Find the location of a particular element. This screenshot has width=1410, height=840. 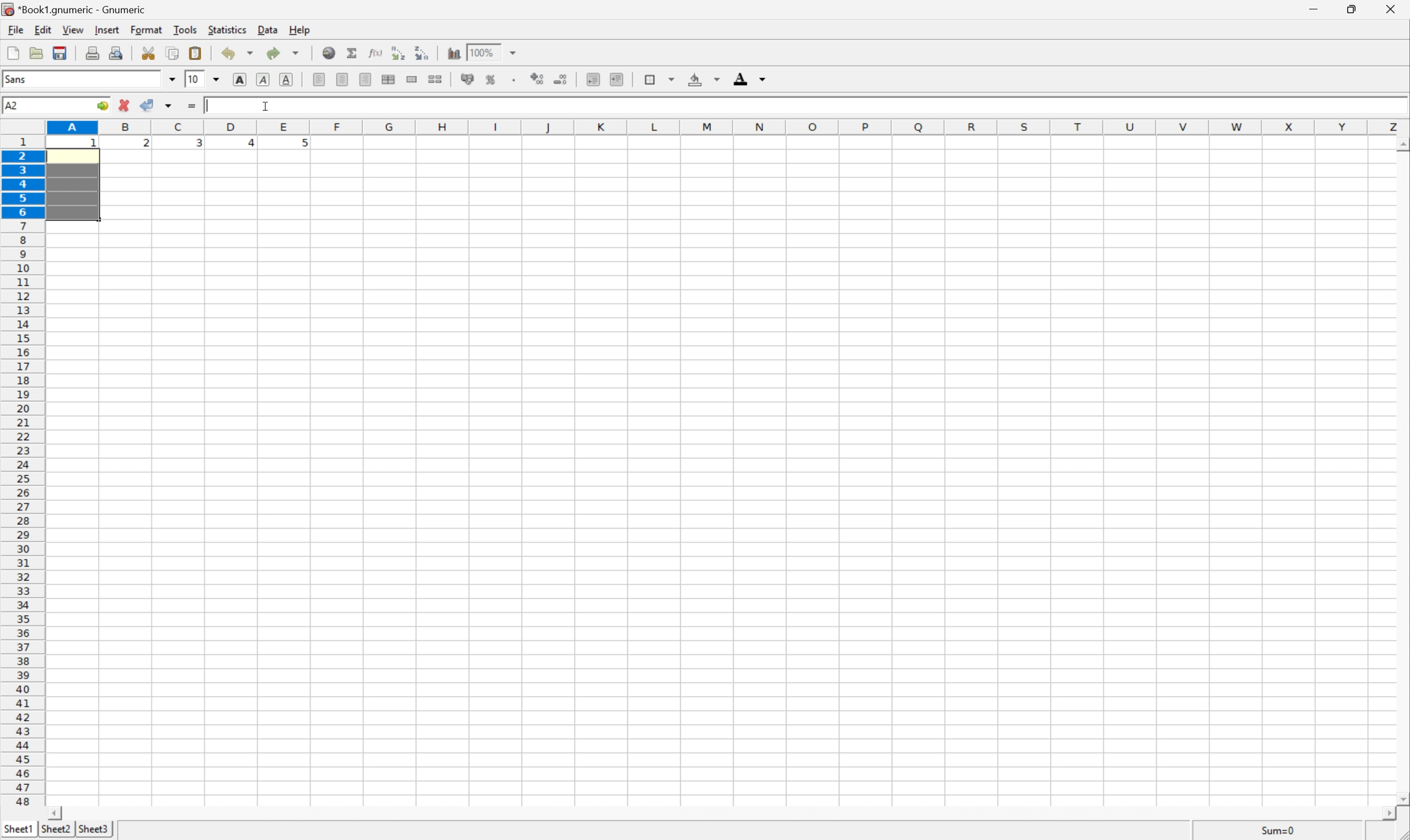

drop down is located at coordinates (216, 79).